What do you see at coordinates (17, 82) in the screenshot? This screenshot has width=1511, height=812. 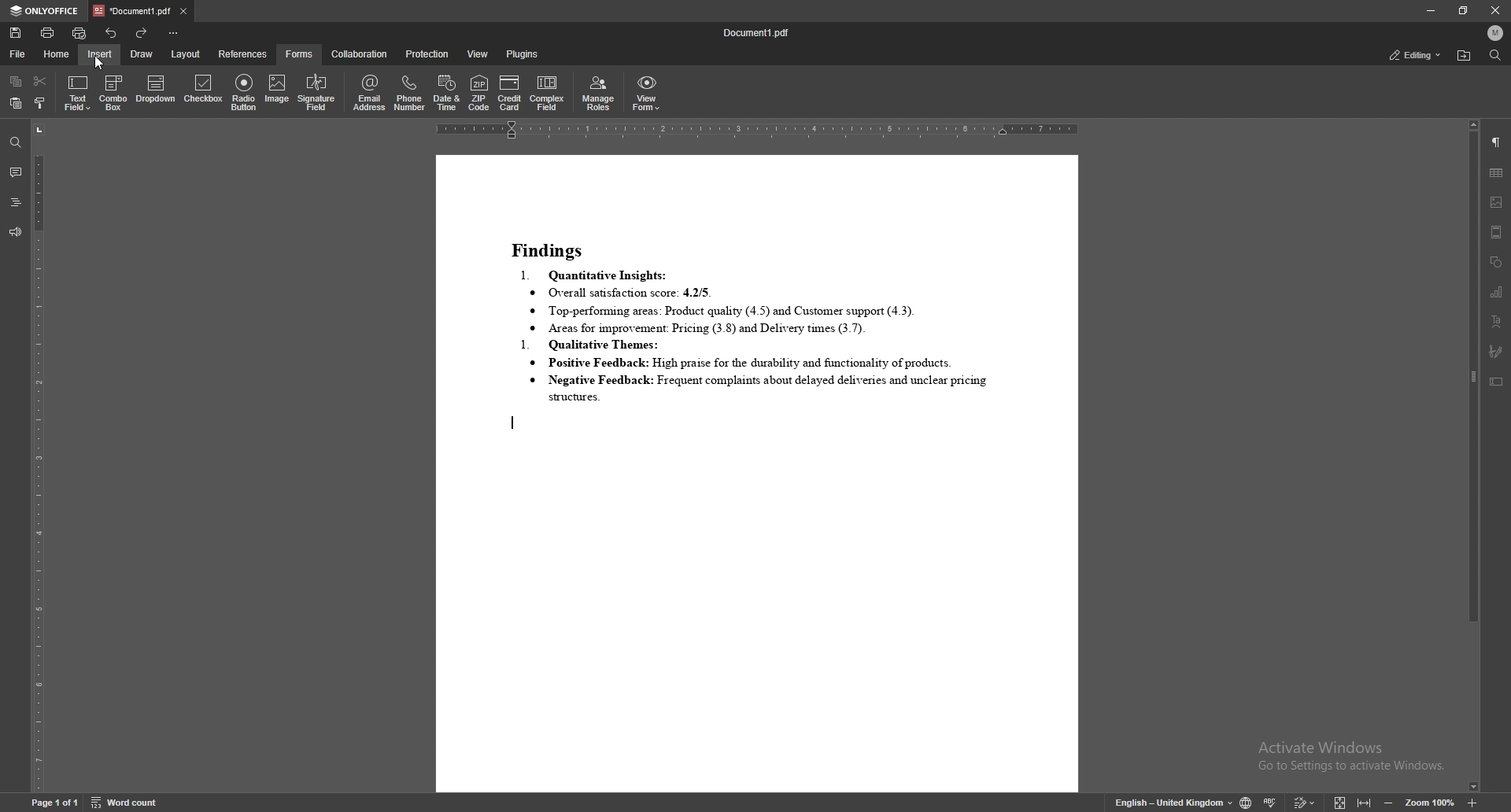 I see `copy` at bounding box center [17, 82].